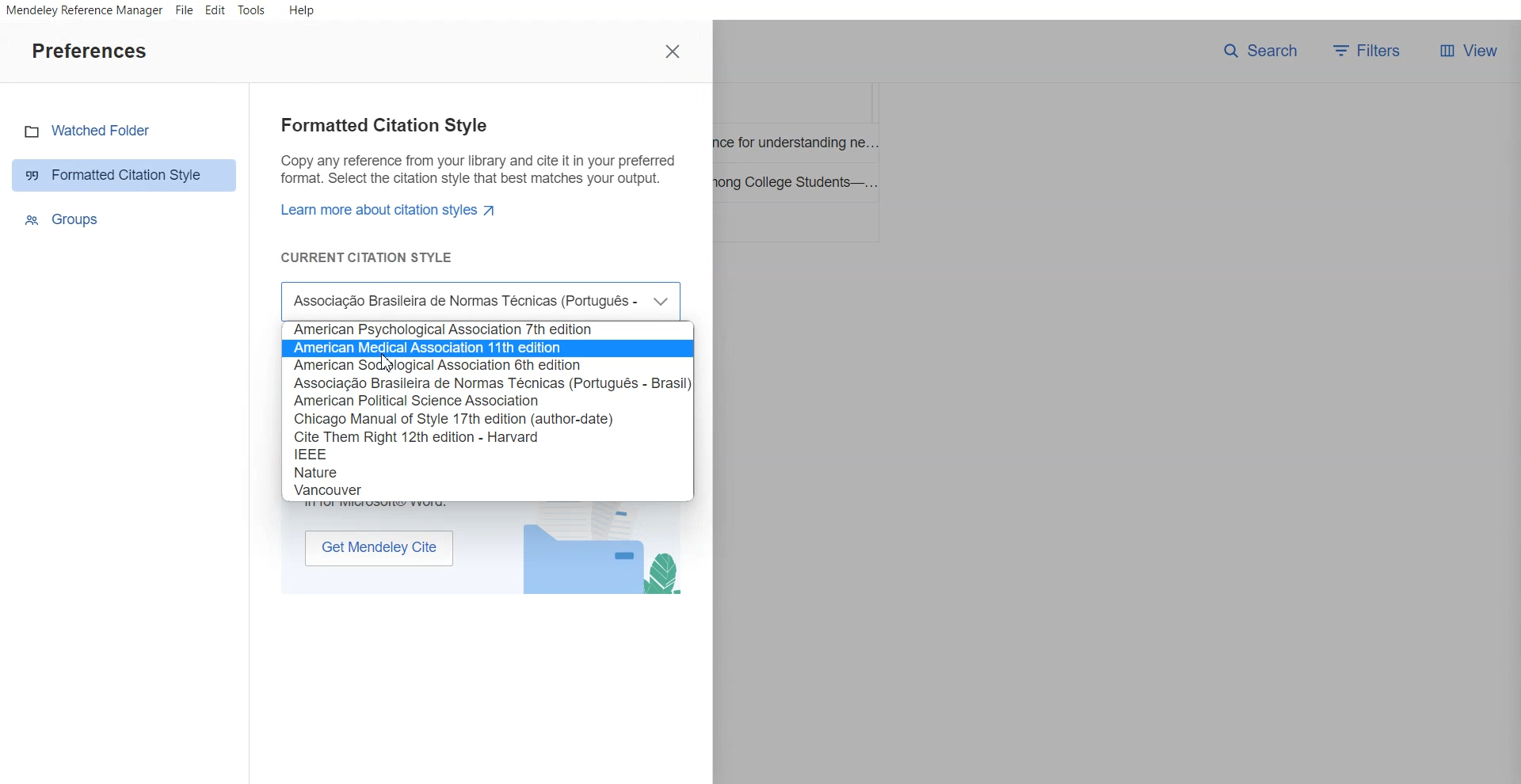 This screenshot has height=784, width=1521. What do you see at coordinates (490, 329) in the screenshot?
I see `Citation` at bounding box center [490, 329].